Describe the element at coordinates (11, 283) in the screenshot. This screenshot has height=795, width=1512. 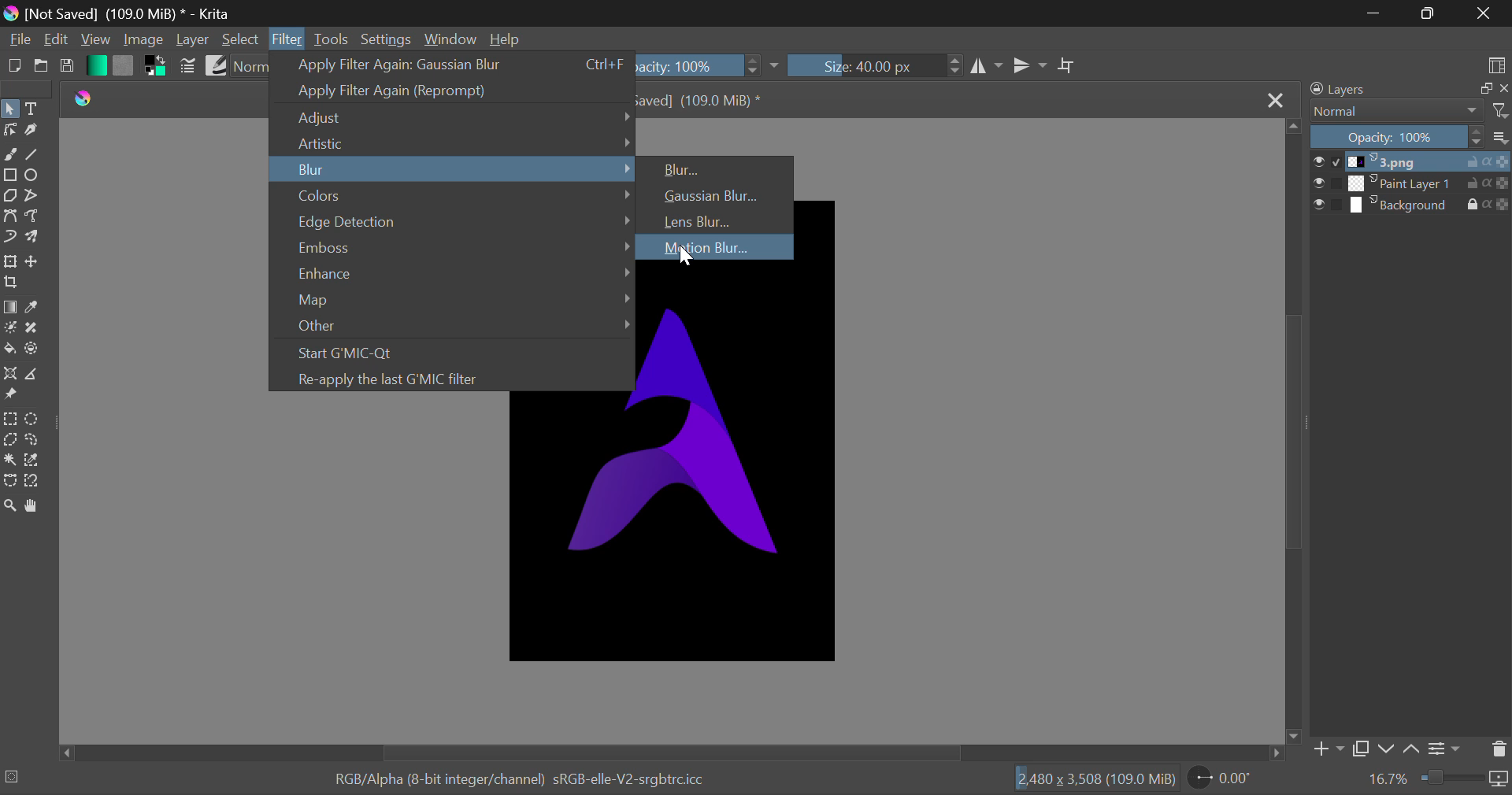
I see `Crop` at that location.